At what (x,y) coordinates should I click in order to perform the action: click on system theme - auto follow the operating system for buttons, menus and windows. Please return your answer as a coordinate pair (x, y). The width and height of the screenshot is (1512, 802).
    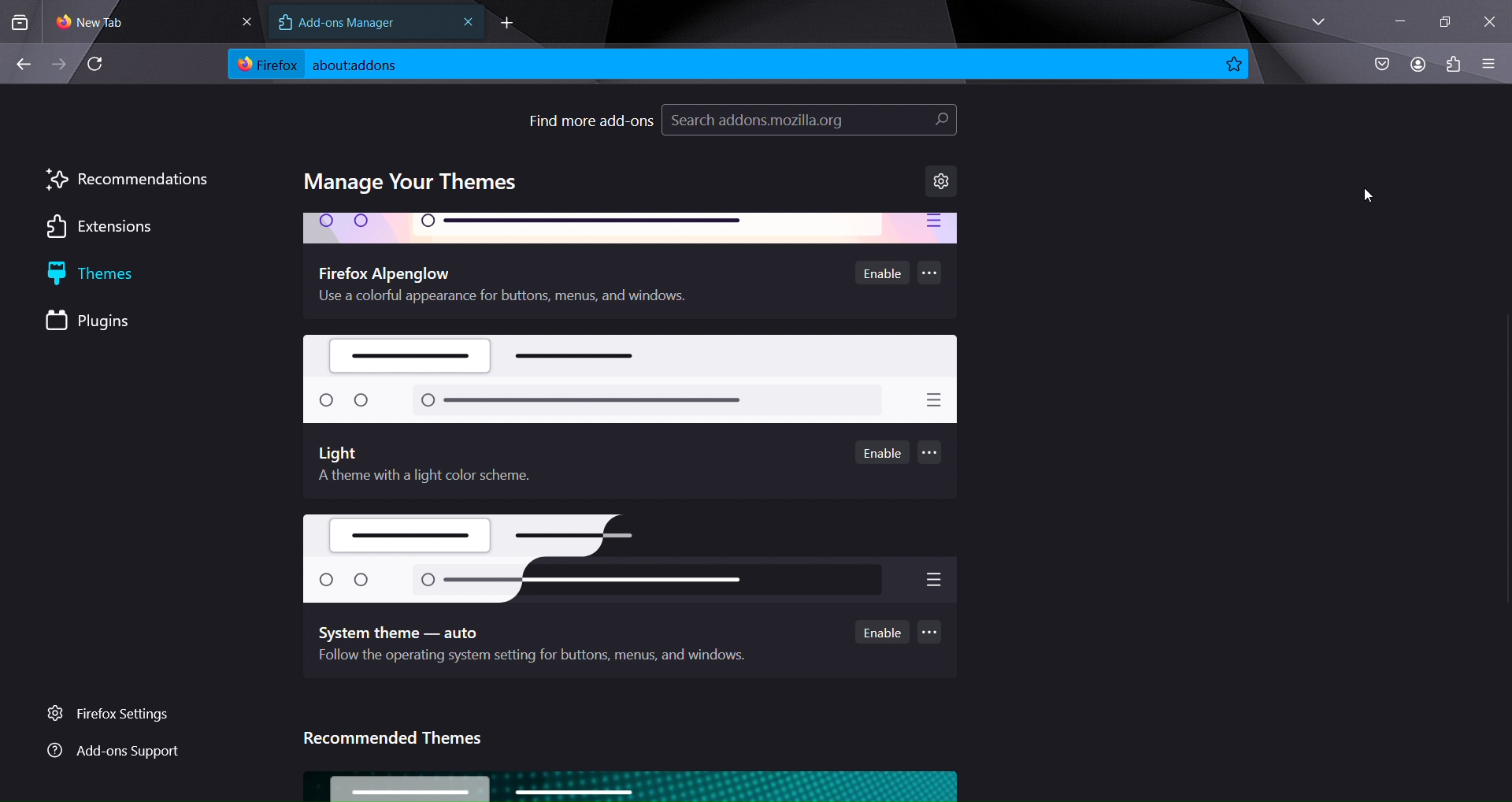
    Looking at the image, I should click on (540, 645).